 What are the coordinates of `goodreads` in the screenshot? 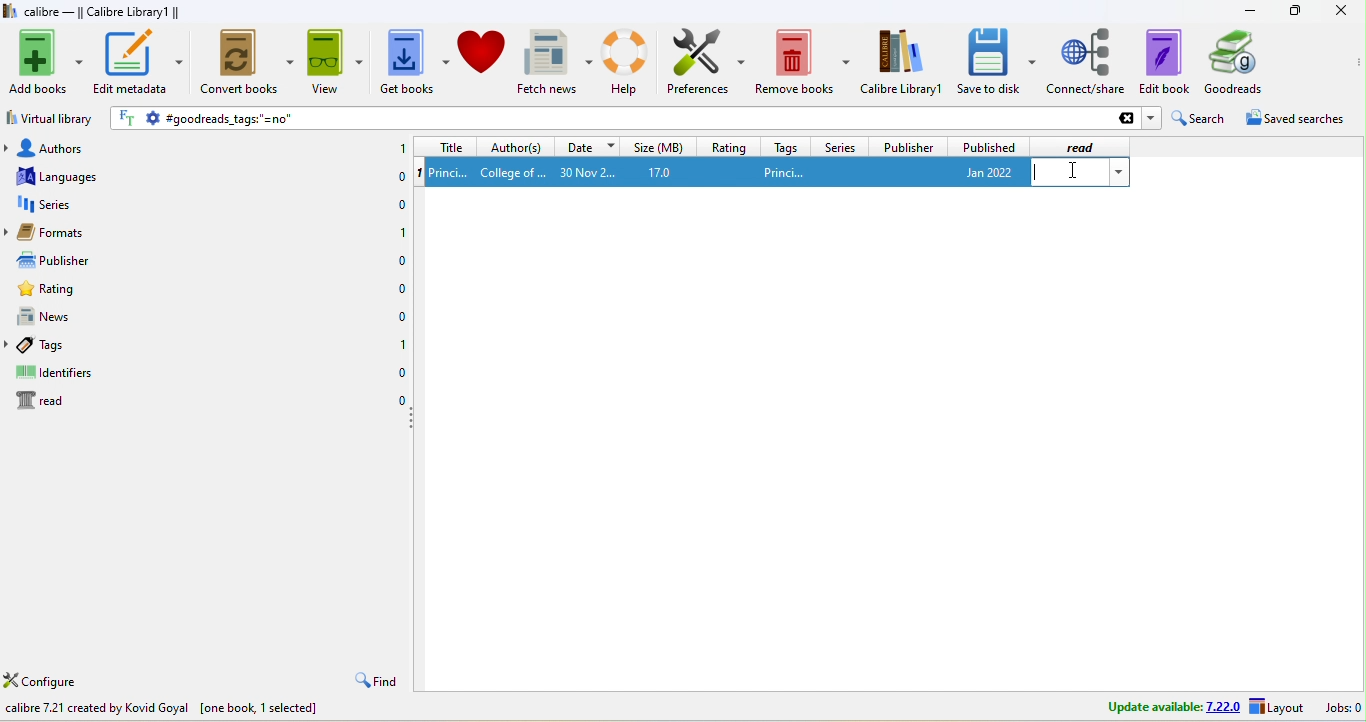 It's located at (1244, 62).